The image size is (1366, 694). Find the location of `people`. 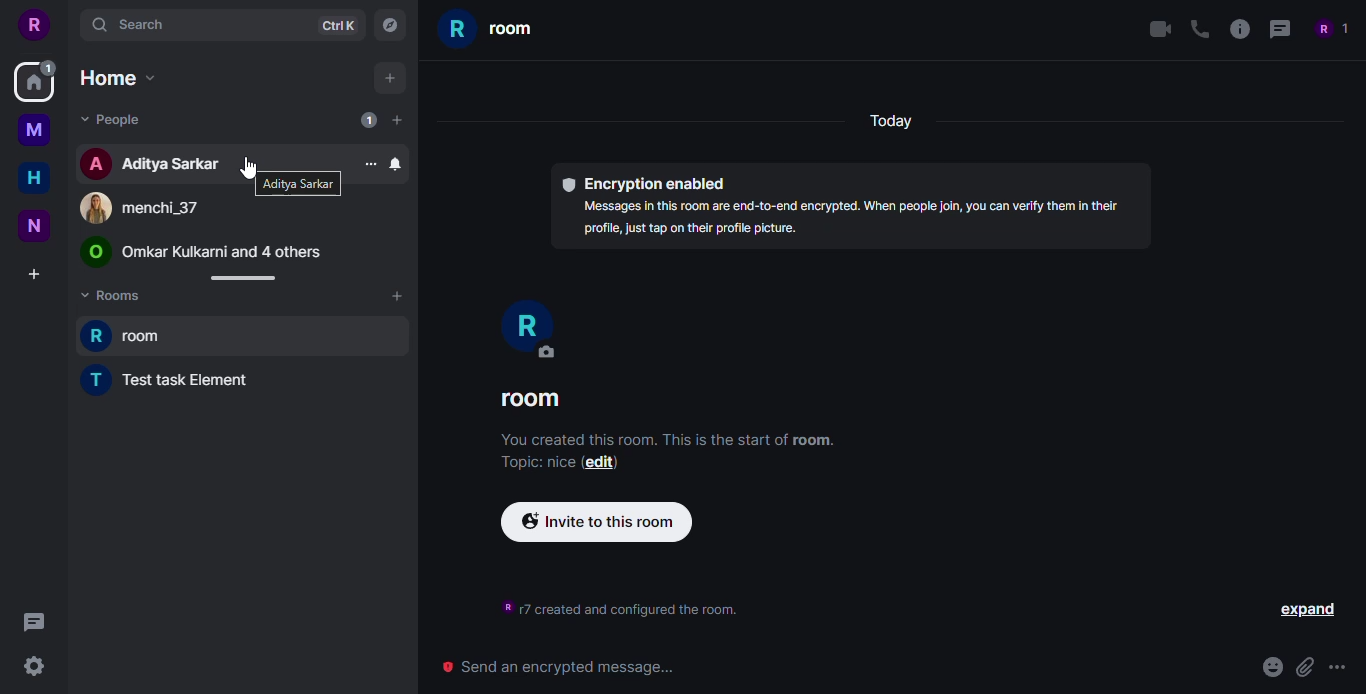

people is located at coordinates (113, 120).